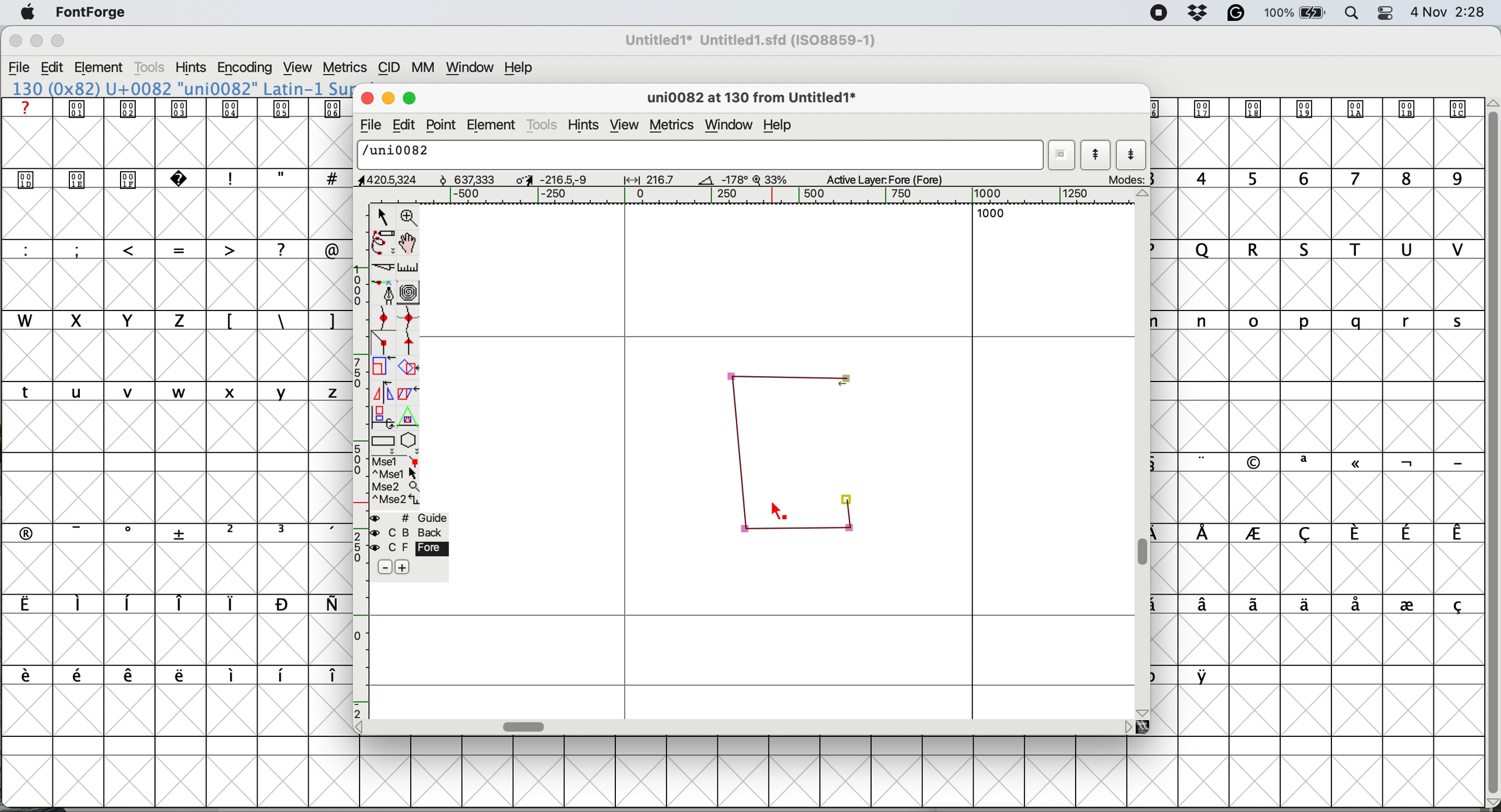 The image size is (1501, 812). What do you see at coordinates (20, 68) in the screenshot?
I see `file` at bounding box center [20, 68].